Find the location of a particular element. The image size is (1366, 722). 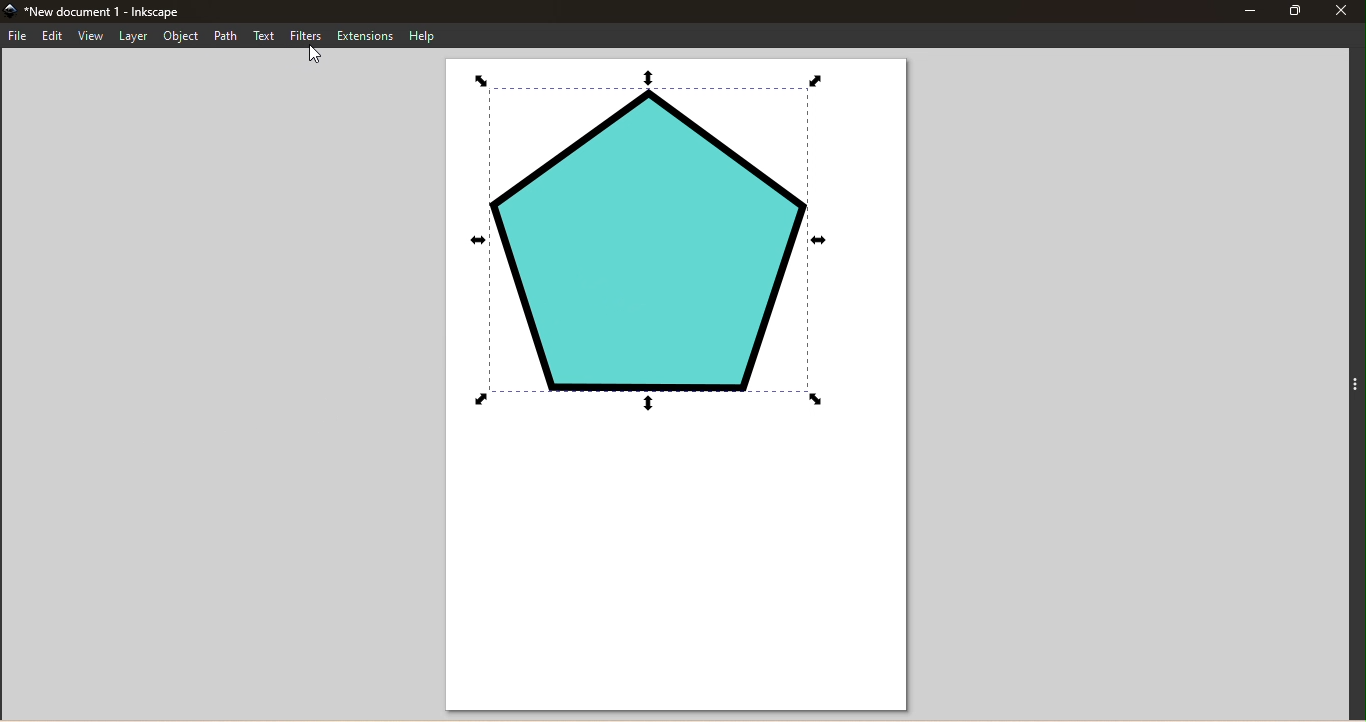

Toggle command panel is located at coordinates (1353, 382).